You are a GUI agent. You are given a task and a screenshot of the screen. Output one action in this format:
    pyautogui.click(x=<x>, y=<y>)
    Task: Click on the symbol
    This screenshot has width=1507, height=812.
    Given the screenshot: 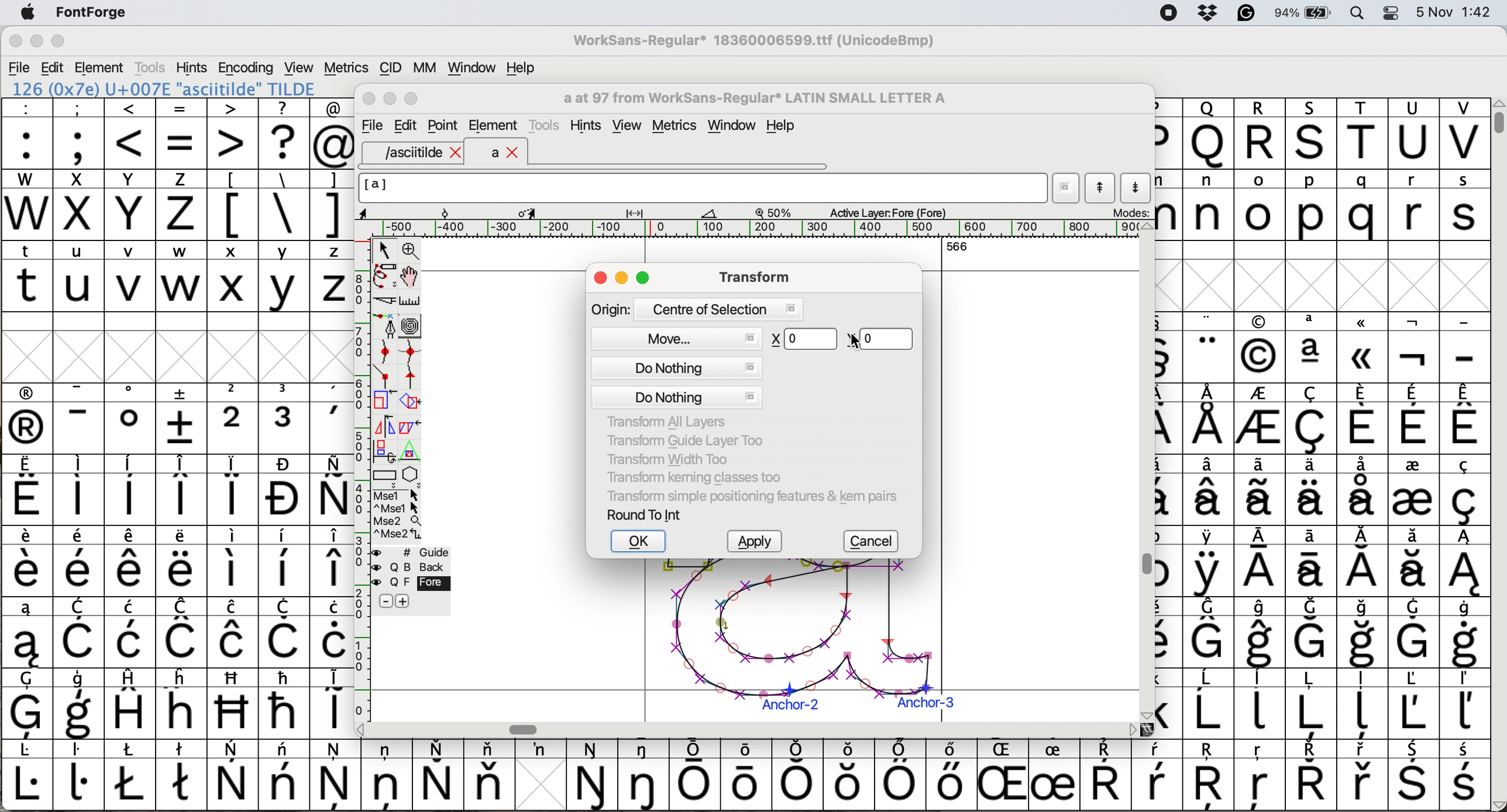 What is the action you would take?
    pyautogui.click(x=1209, y=348)
    